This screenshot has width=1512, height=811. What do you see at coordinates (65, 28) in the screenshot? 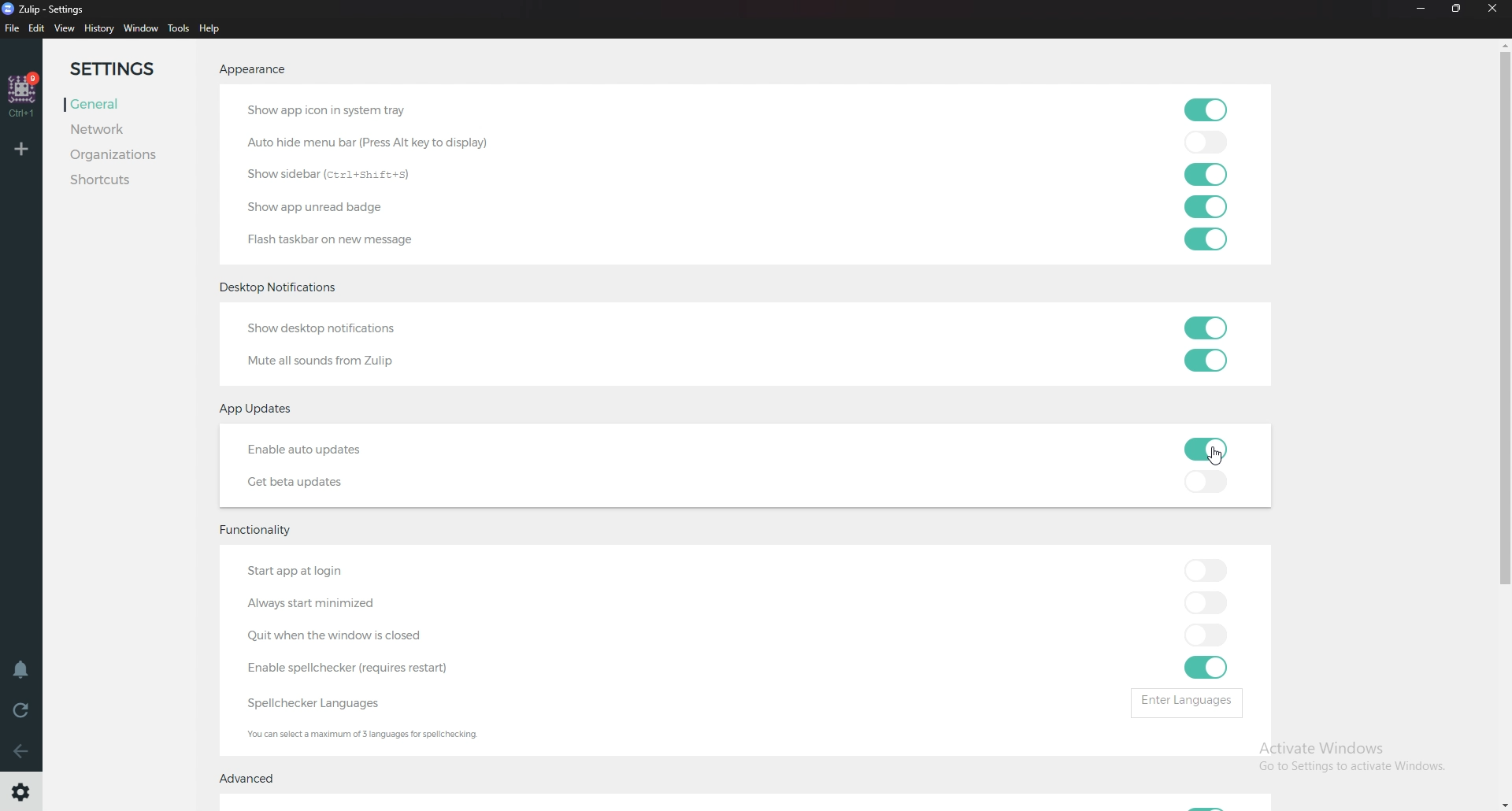
I see `View` at bounding box center [65, 28].